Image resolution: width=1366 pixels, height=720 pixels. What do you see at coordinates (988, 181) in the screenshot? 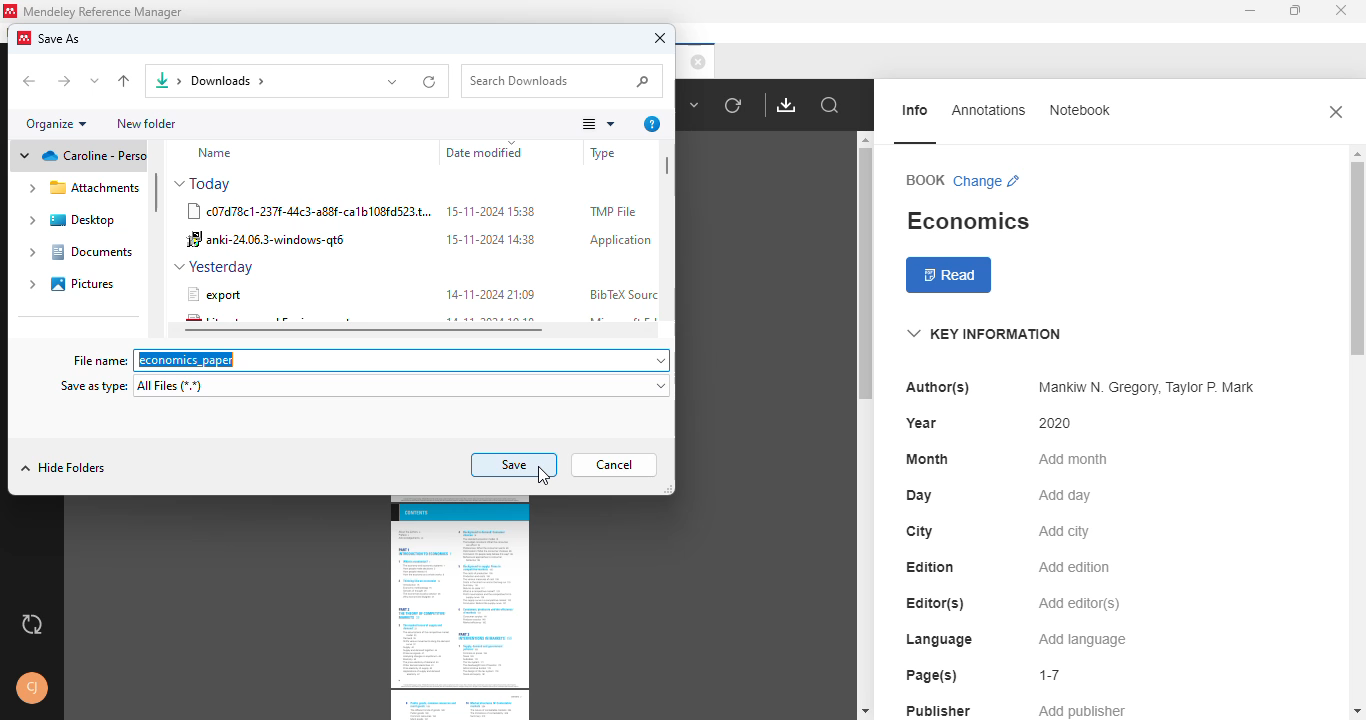
I see `change` at bounding box center [988, 181].